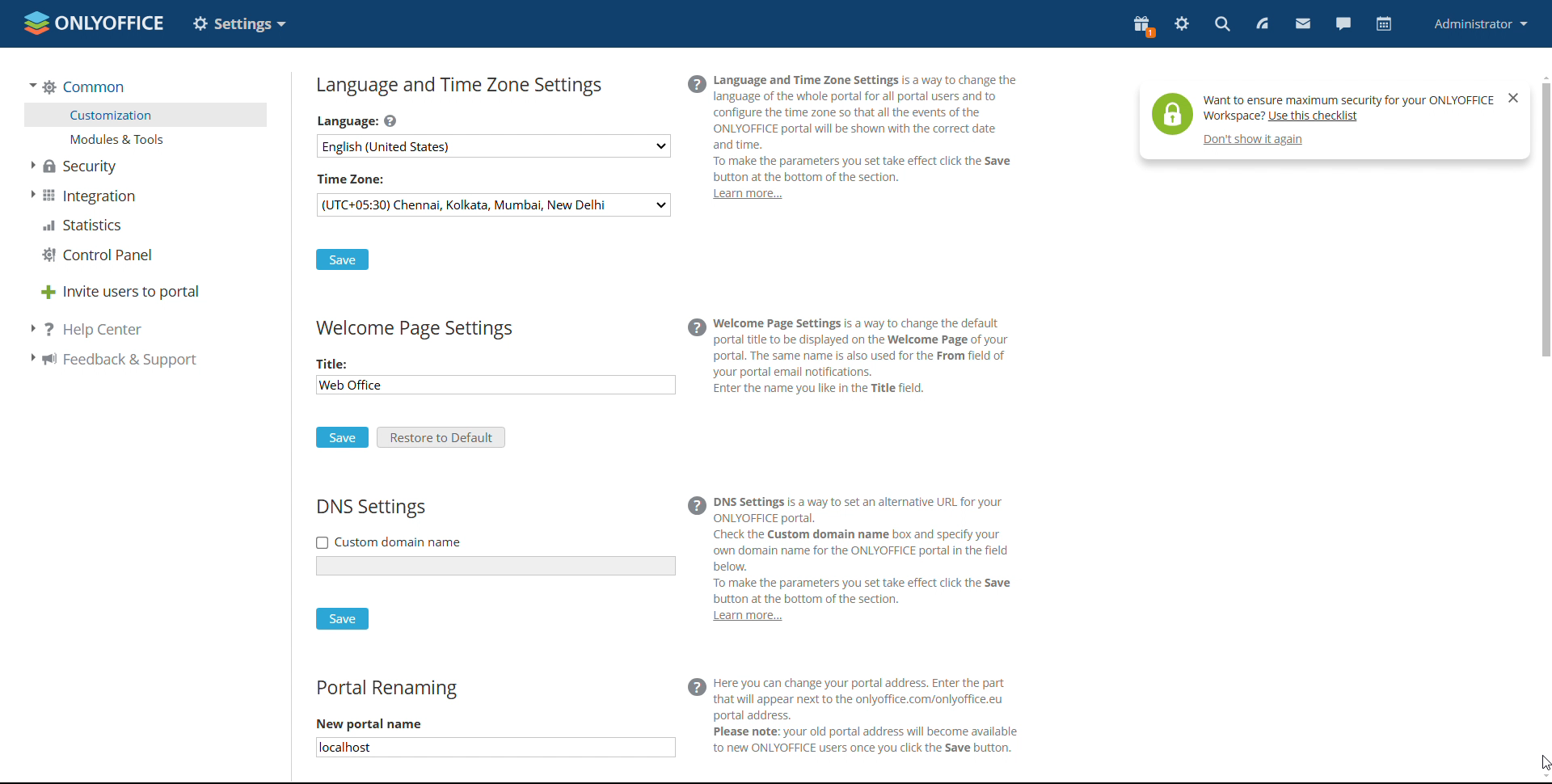 The width and height of the screenshot is (1552, 784). I want to click on customization, so click(147, 115).